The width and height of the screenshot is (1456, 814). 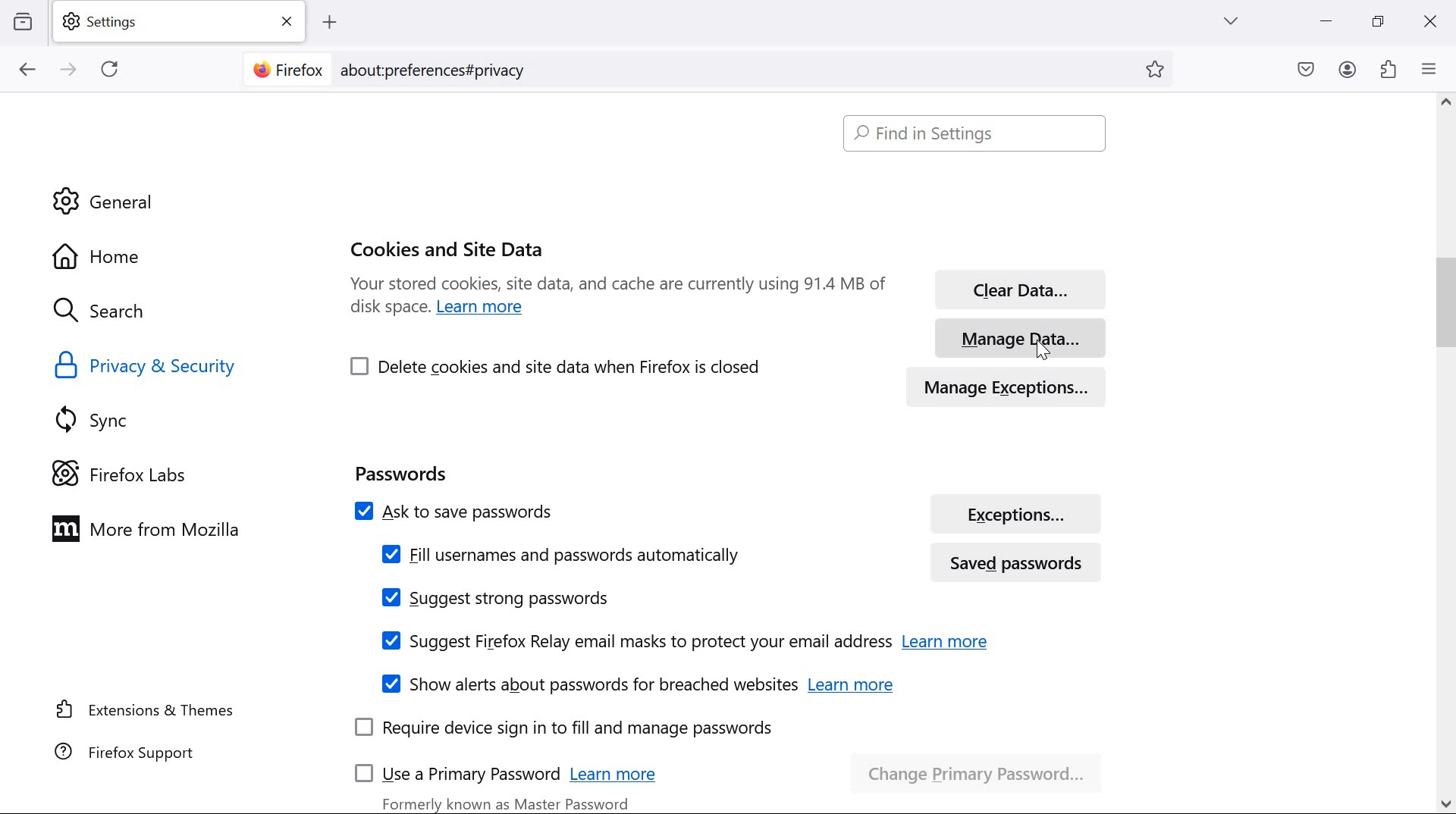 What do you see at coordinates (128, 751) in the screenshot?
I see `Firefox support` at bounding box center [128, 751].